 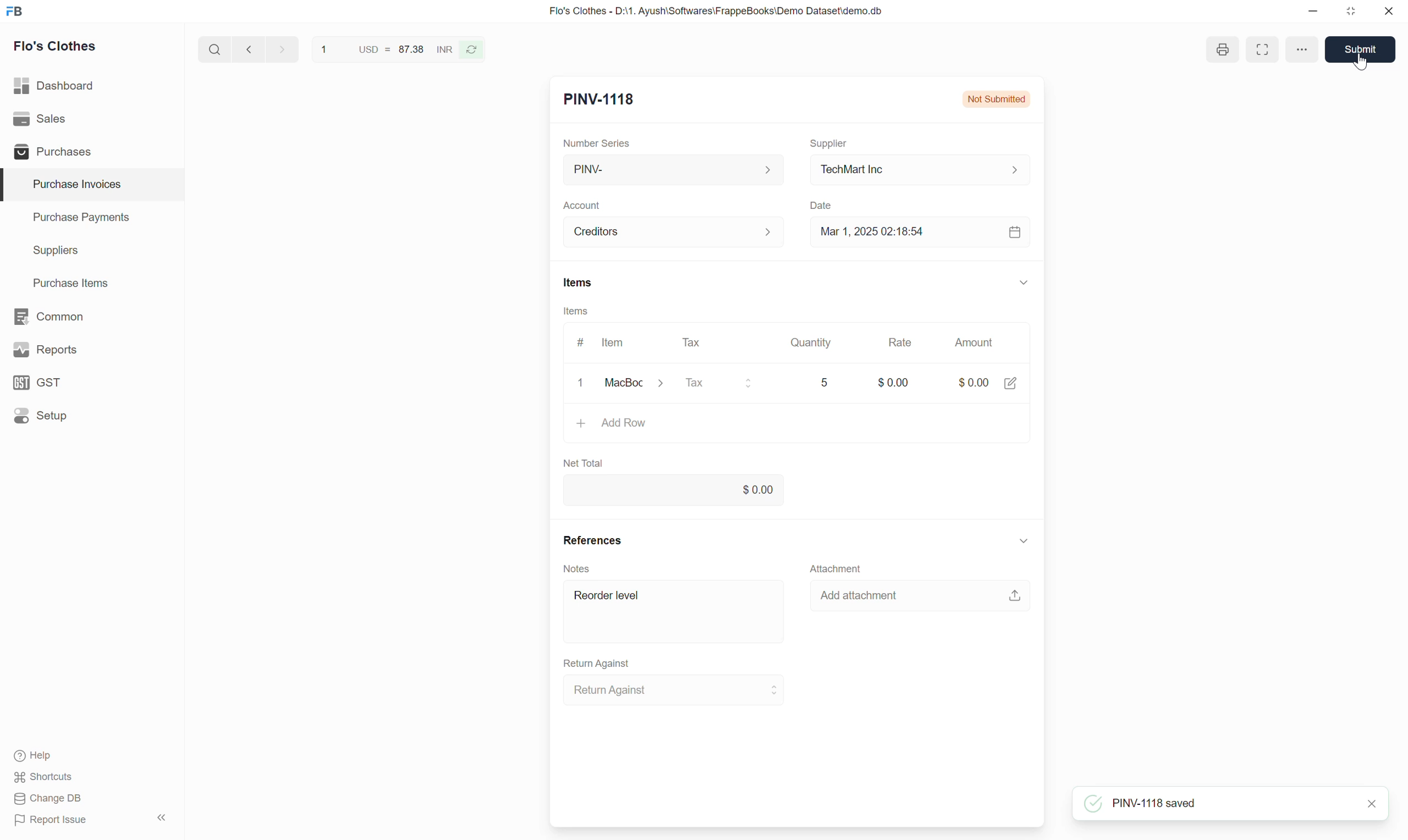 What do you see at coordinates (836, 568) in the screenshot?
I see `Attachment` at bounding box center [836, 568].